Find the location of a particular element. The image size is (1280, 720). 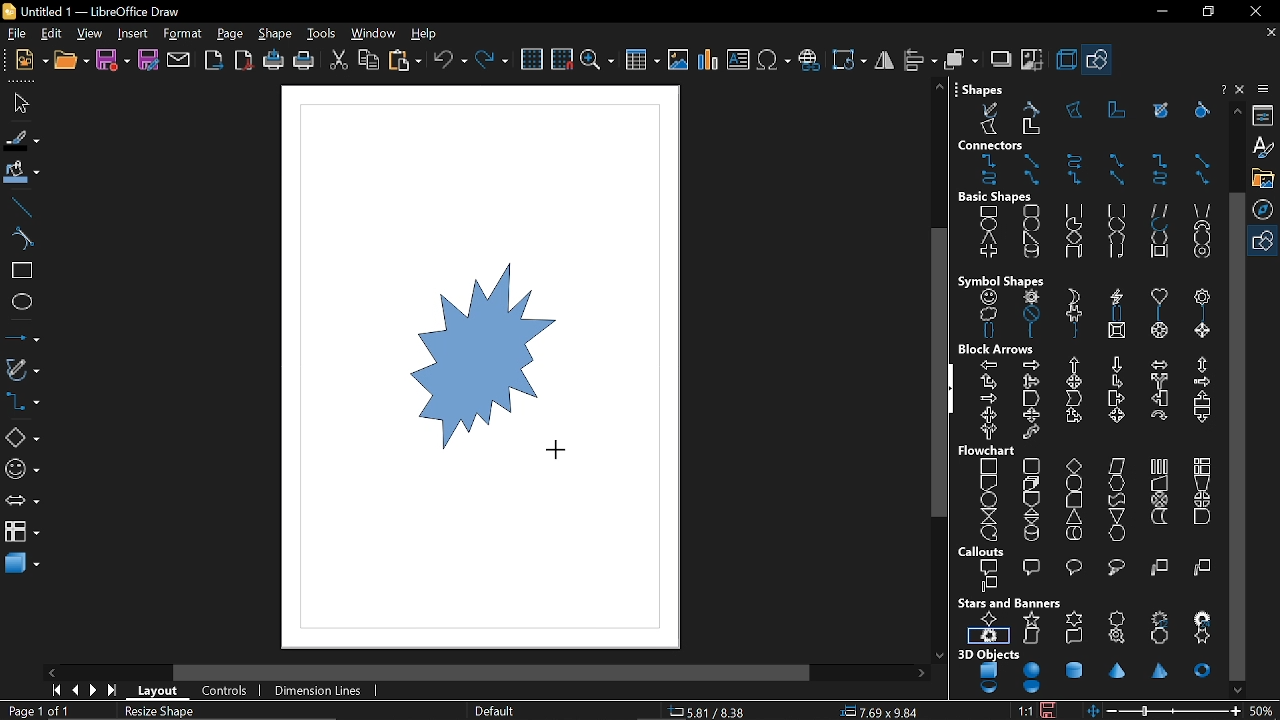

close is located at coordinates (1252, 11).